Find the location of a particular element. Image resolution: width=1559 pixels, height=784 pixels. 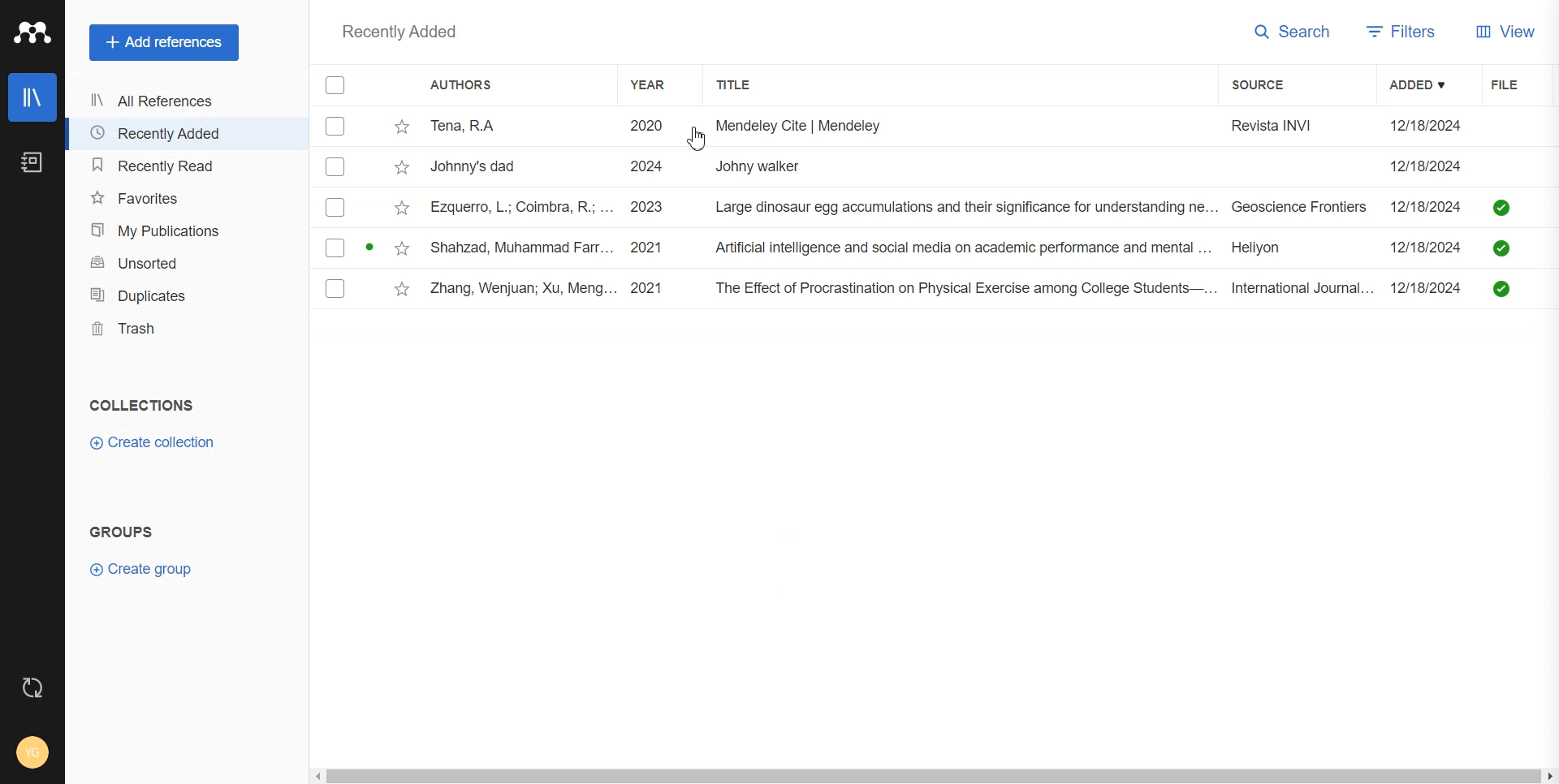

12/18/2024 is located at coordinates (1427, 166).